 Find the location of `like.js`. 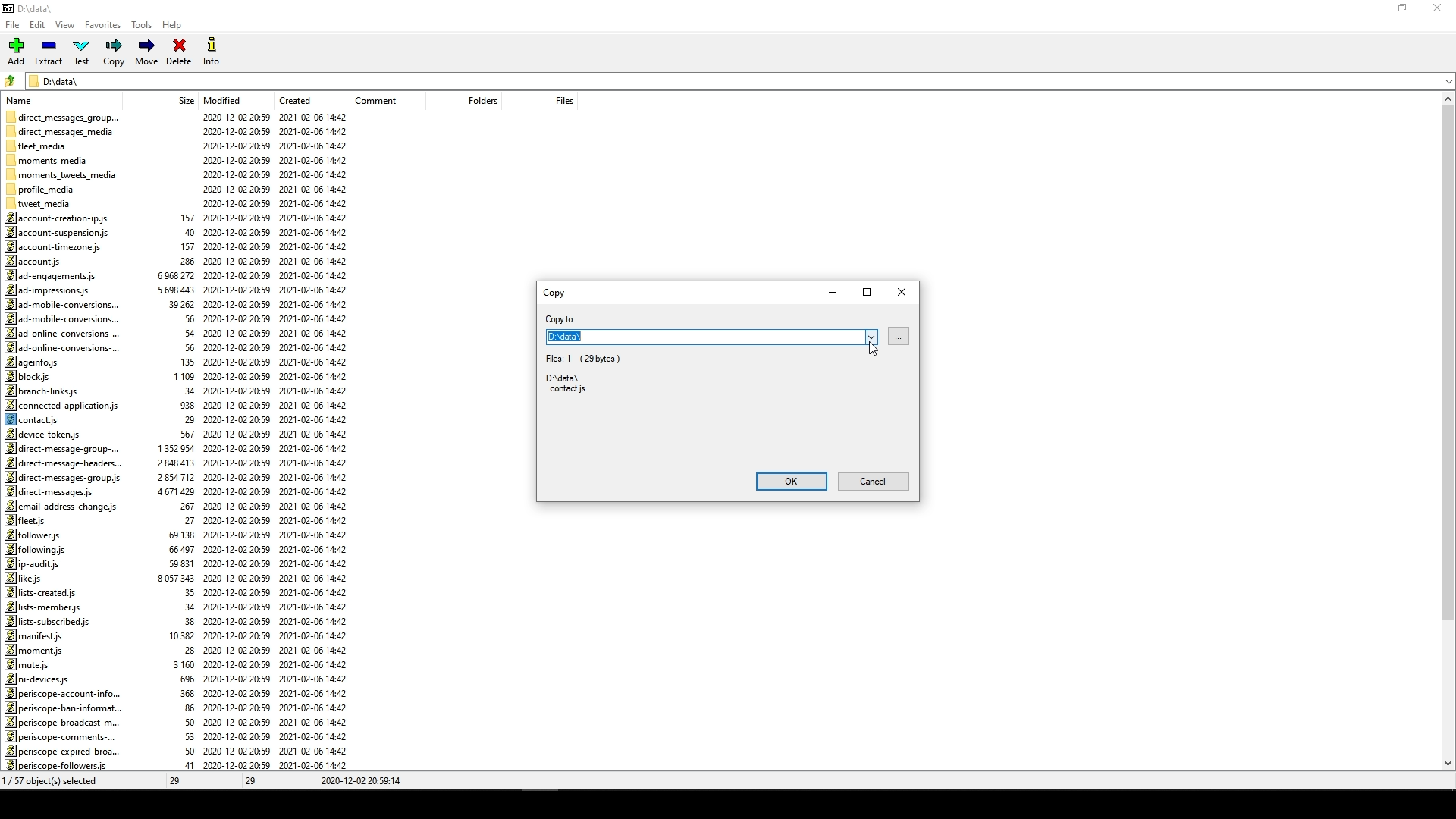

like.js is located at coordinates (28, 579).